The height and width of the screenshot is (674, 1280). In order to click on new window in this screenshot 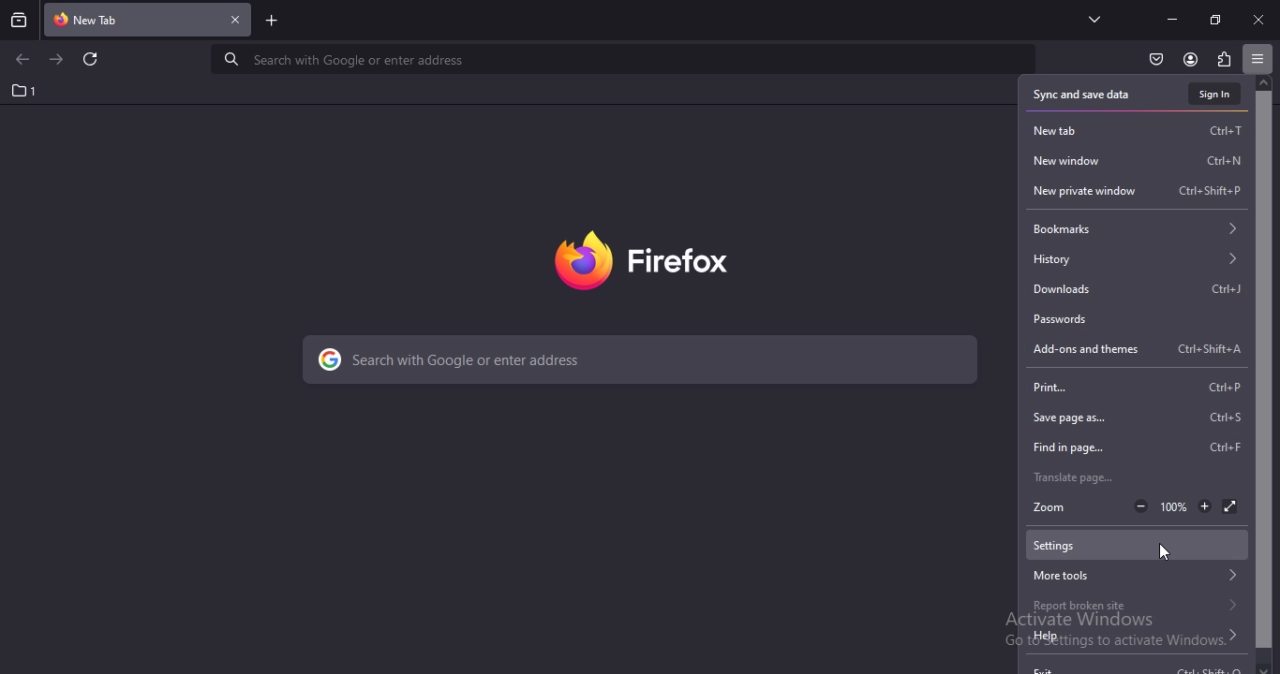, I will do `click(1138, 159)`.